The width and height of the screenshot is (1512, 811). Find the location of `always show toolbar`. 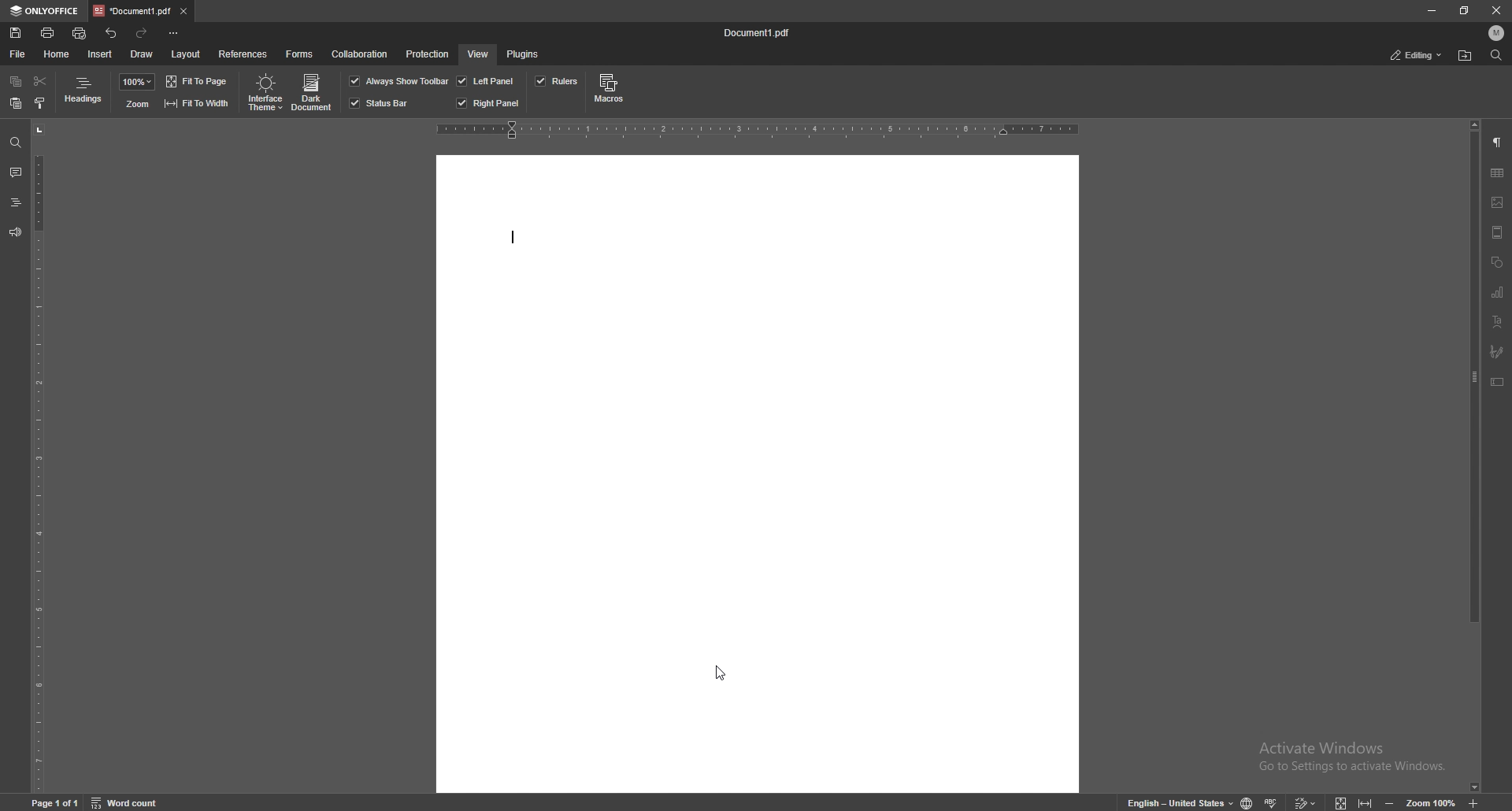

always show toolbar is located at coordinates (399, 80).